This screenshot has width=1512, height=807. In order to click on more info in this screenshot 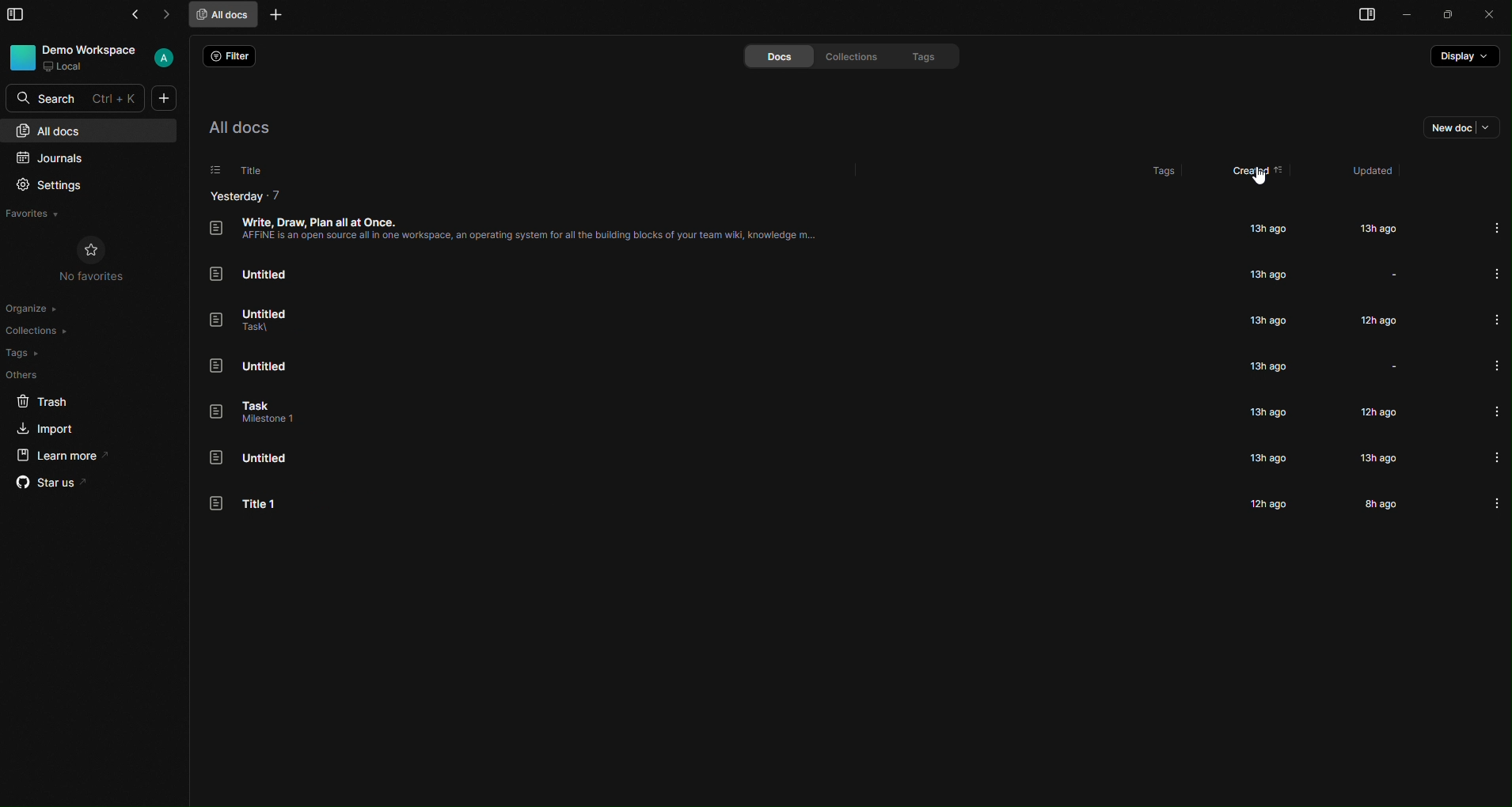, I will do `click(1494, 363)`.